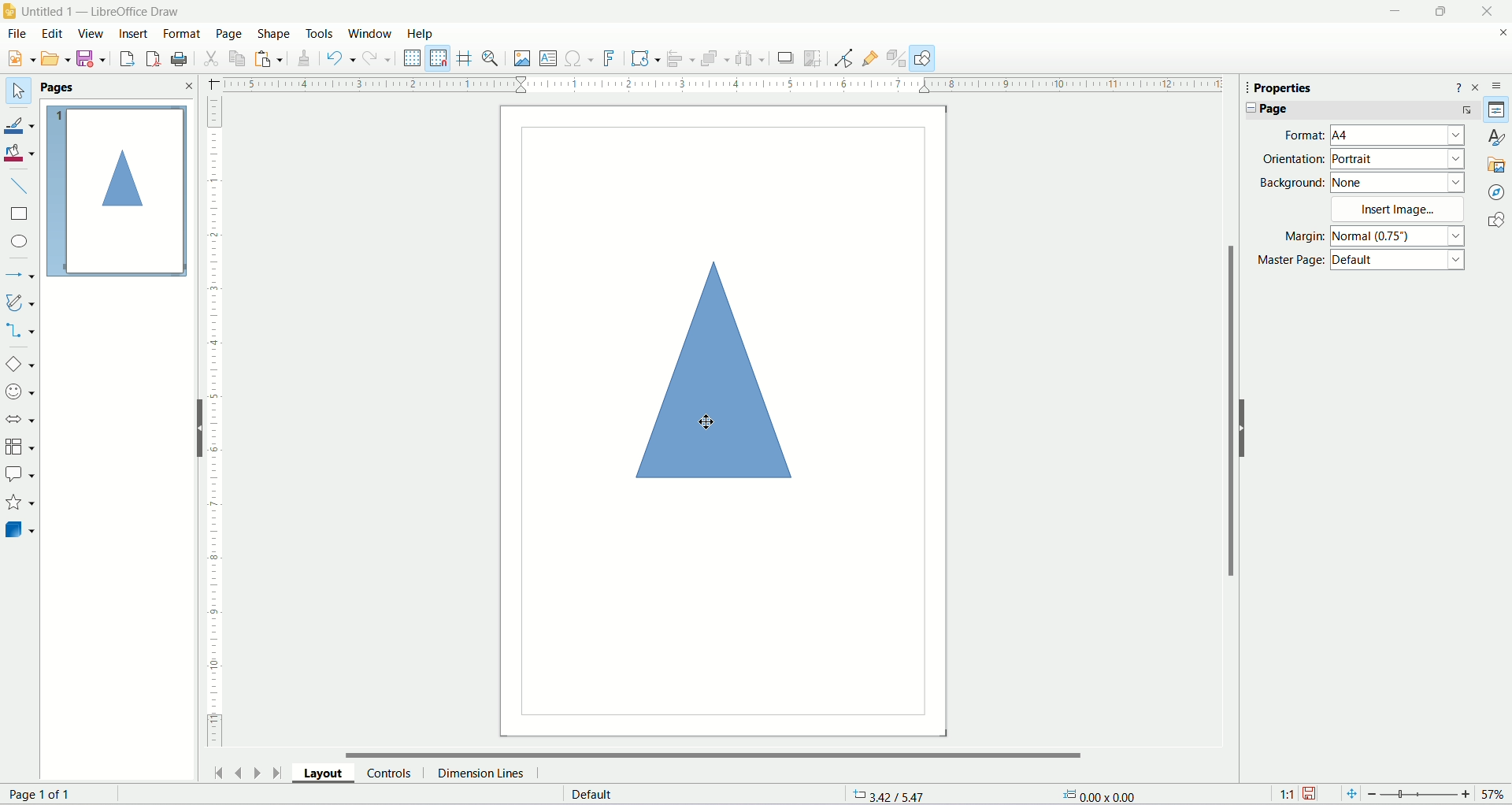 The image size is (1512, 805). I want to click on Unsaved change indicator, so click(1311, 793).